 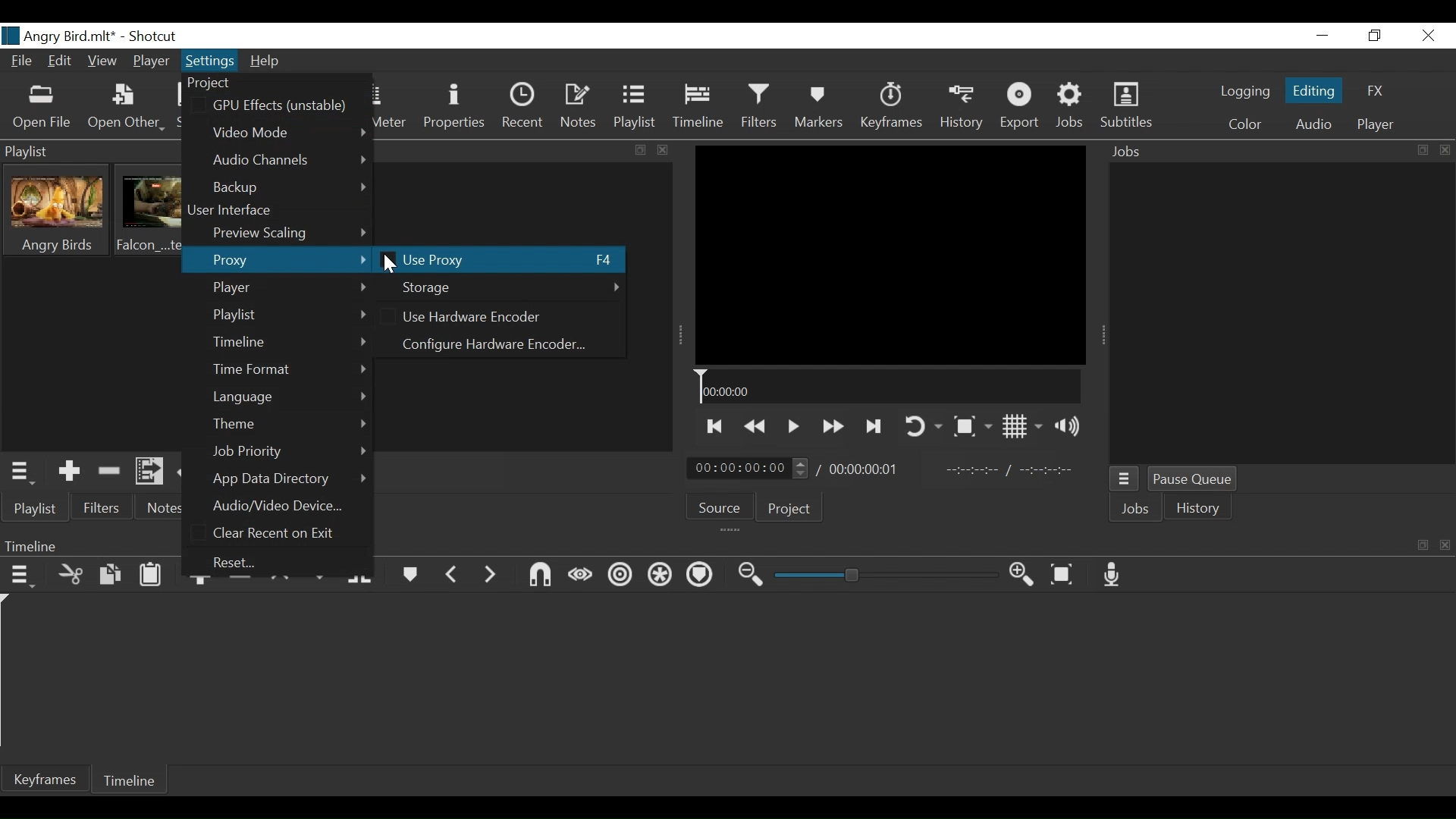 What do you see at coordinates (762, 106) in the screenshot?
I see `Filters` at bounding box center [762, 106].